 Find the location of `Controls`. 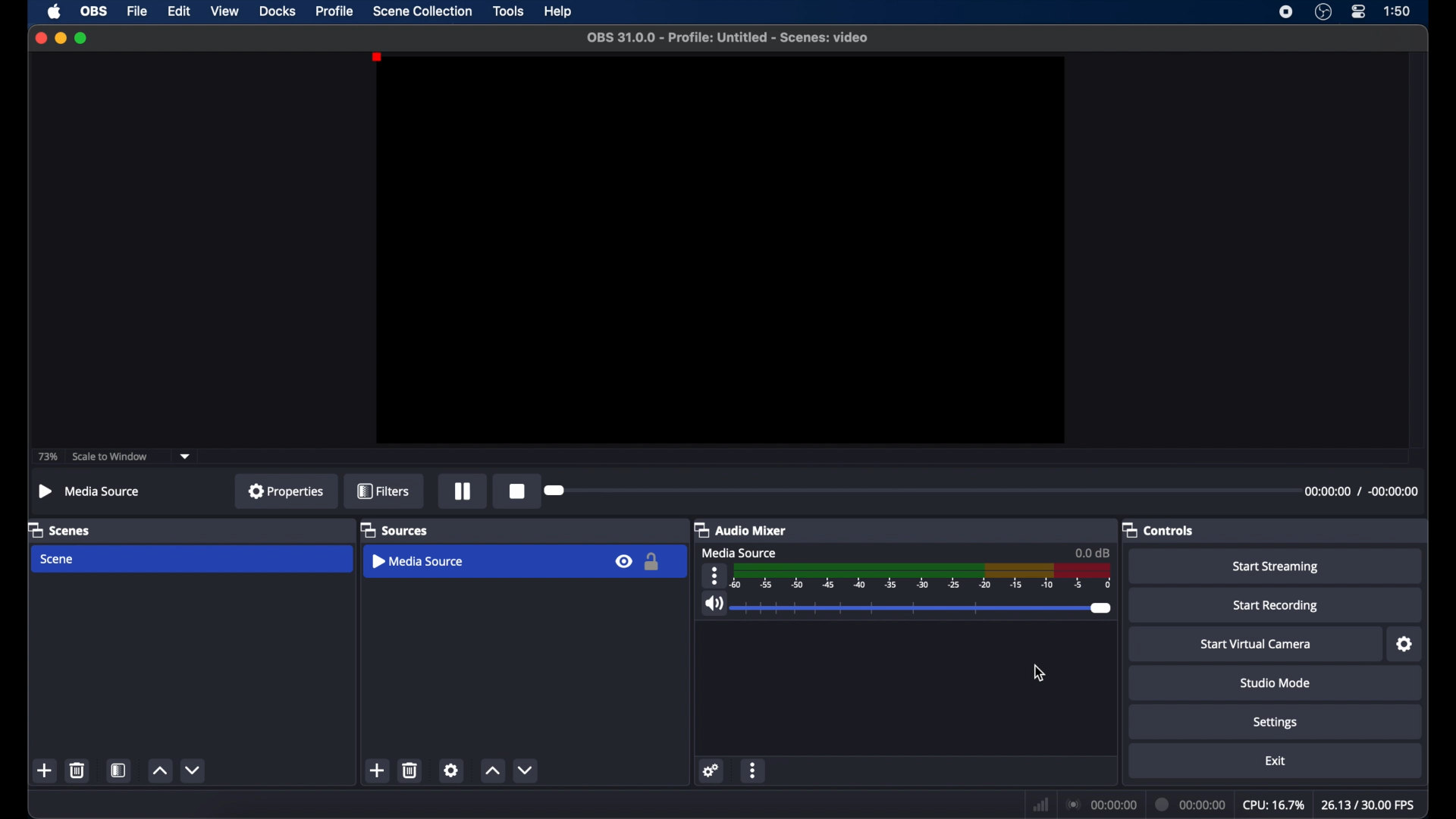

Controls is located at coordinates (1162, 531).